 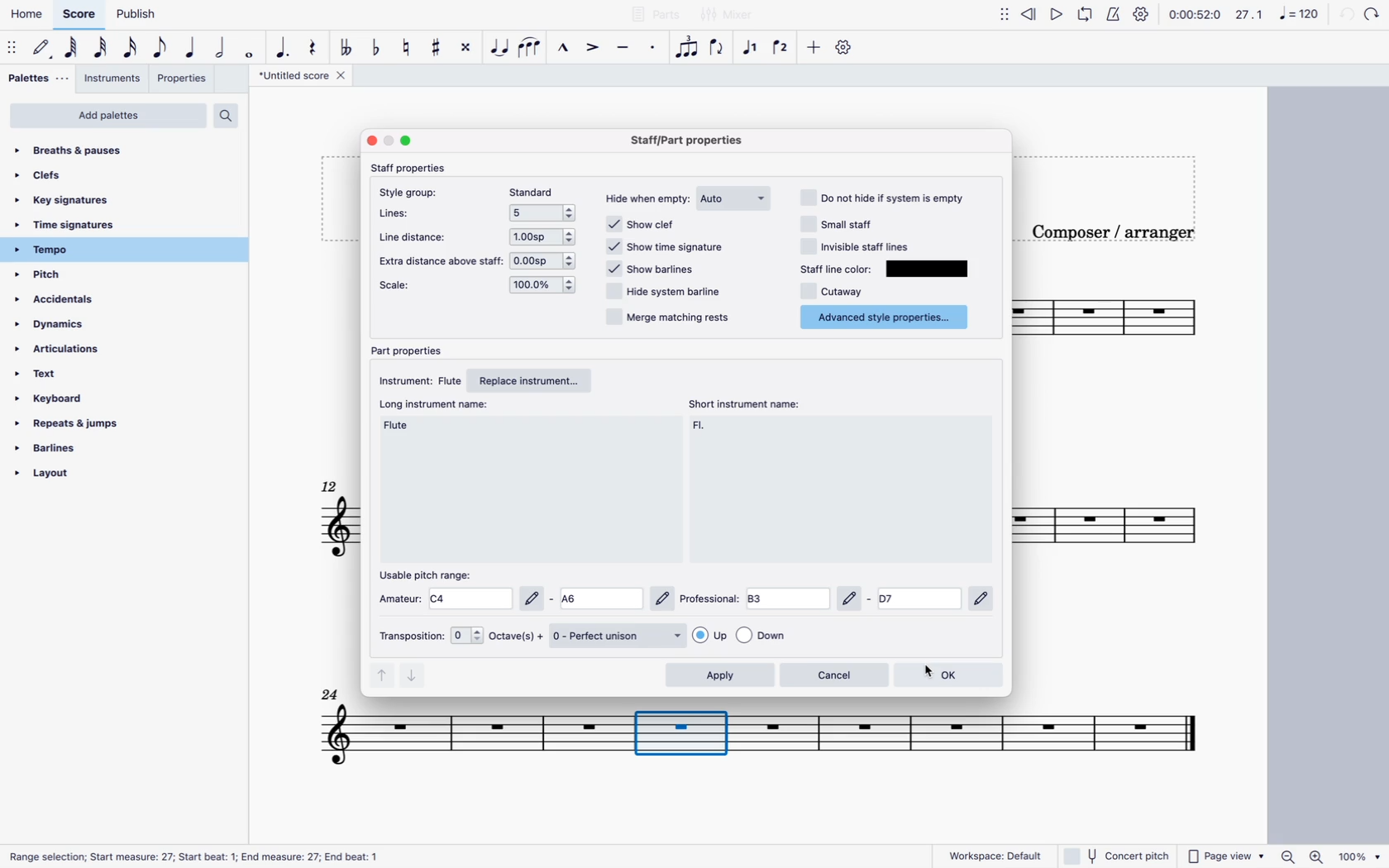 I want to click on up, so click(x=380, y=678).